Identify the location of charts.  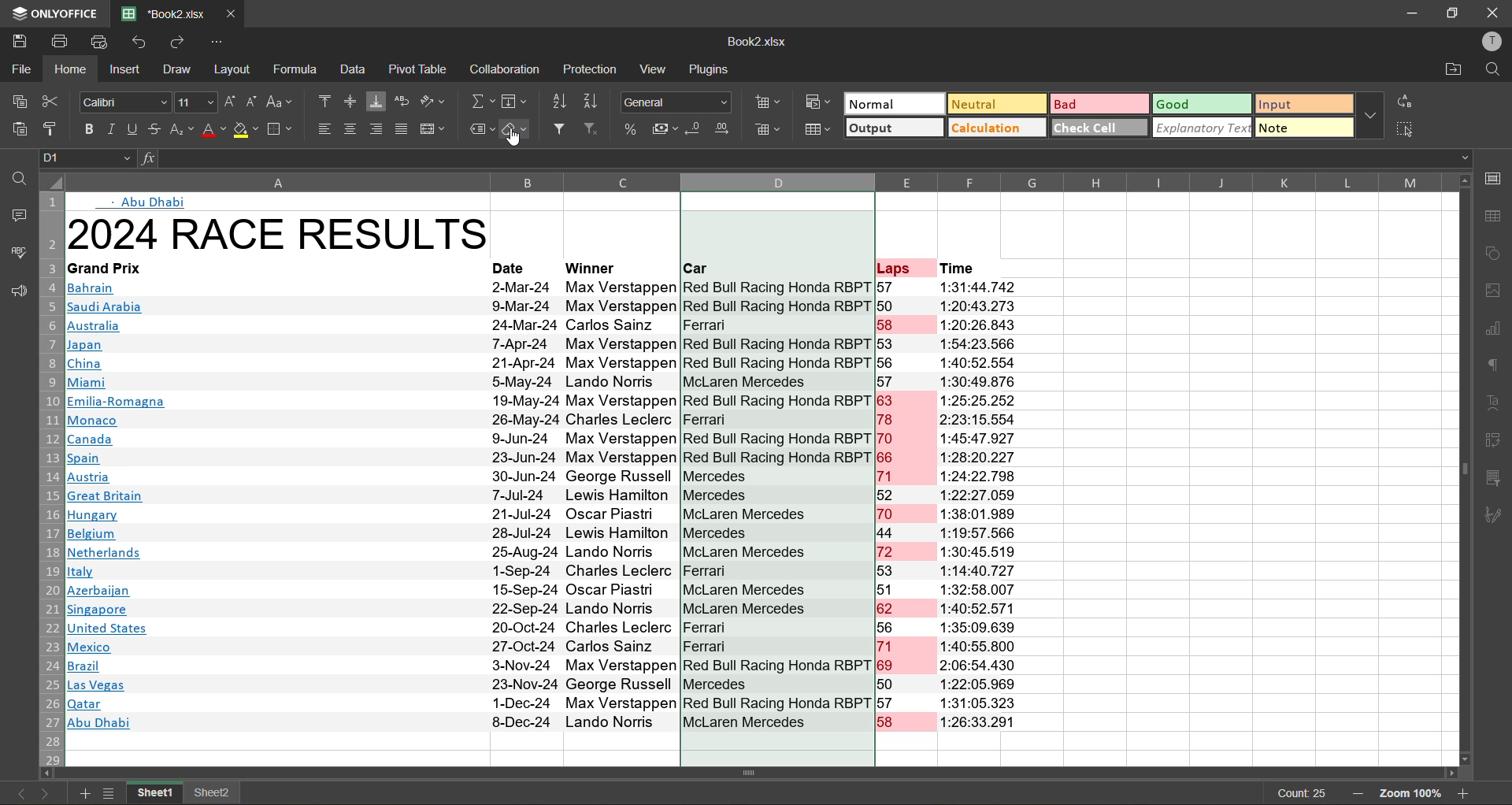
(1498, 330).